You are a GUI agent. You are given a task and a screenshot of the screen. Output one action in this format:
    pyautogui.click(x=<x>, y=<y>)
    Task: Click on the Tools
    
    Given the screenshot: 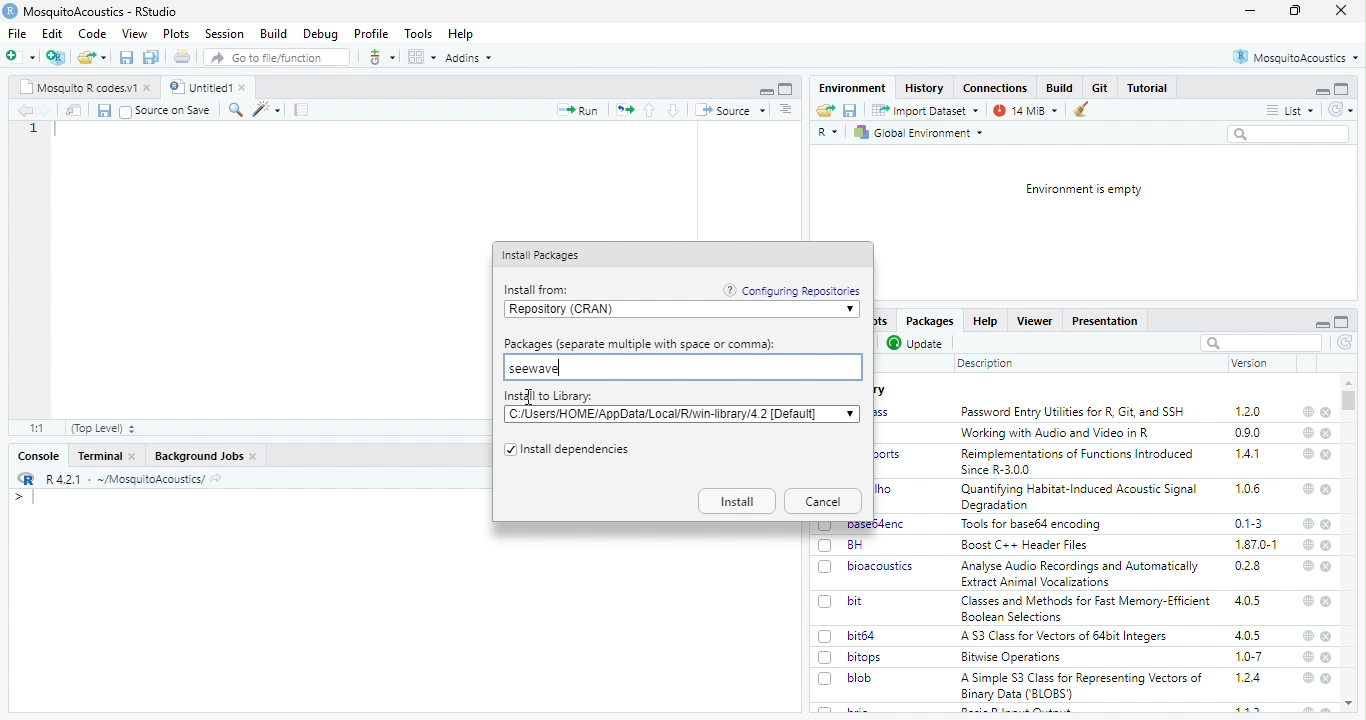 What is the action you would take?
    pyautogui.click(x=419, y=34)
    